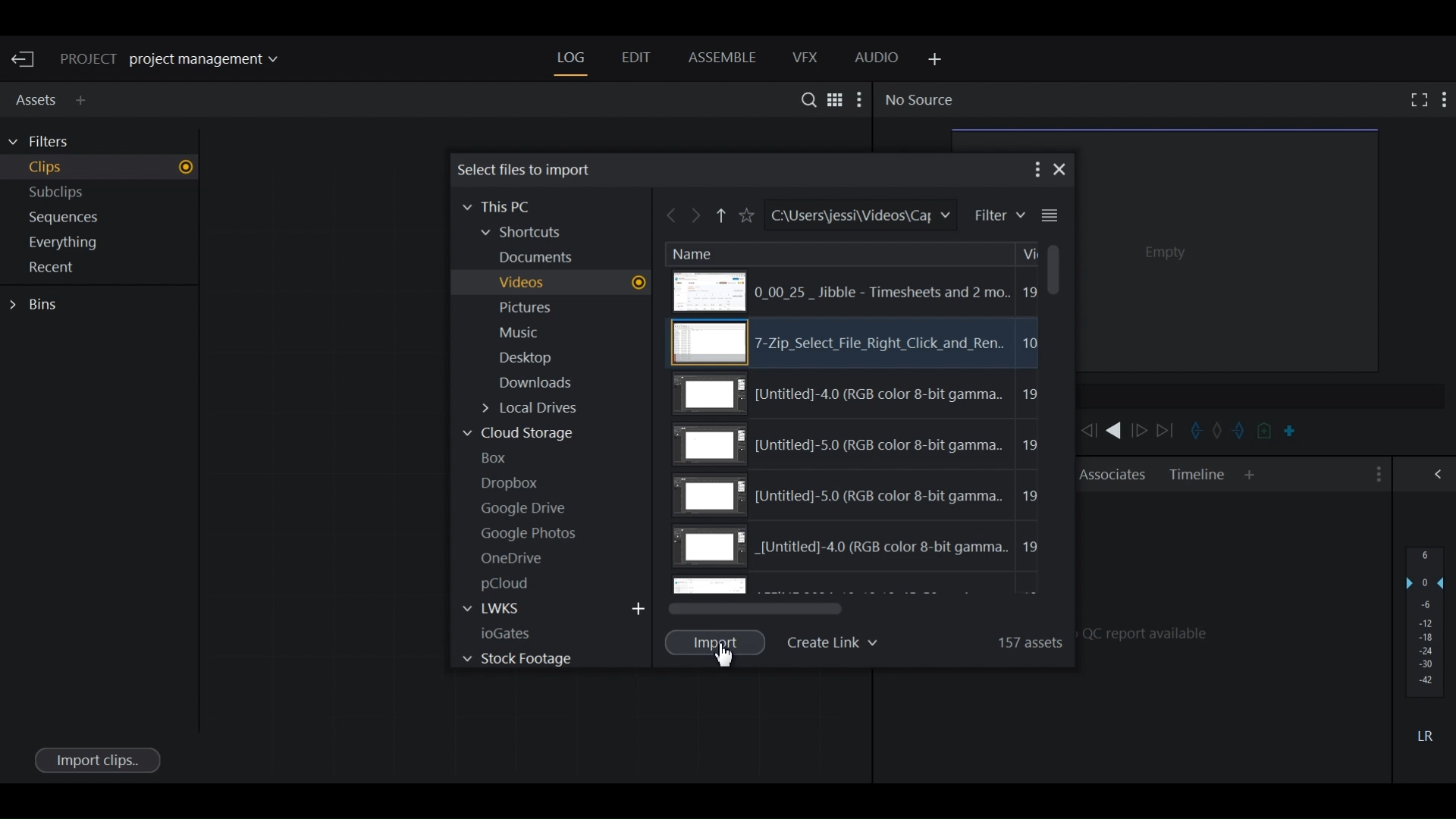 This screenshot has width=1456, height=819. I want to click on Import clips, so click(96, 759).